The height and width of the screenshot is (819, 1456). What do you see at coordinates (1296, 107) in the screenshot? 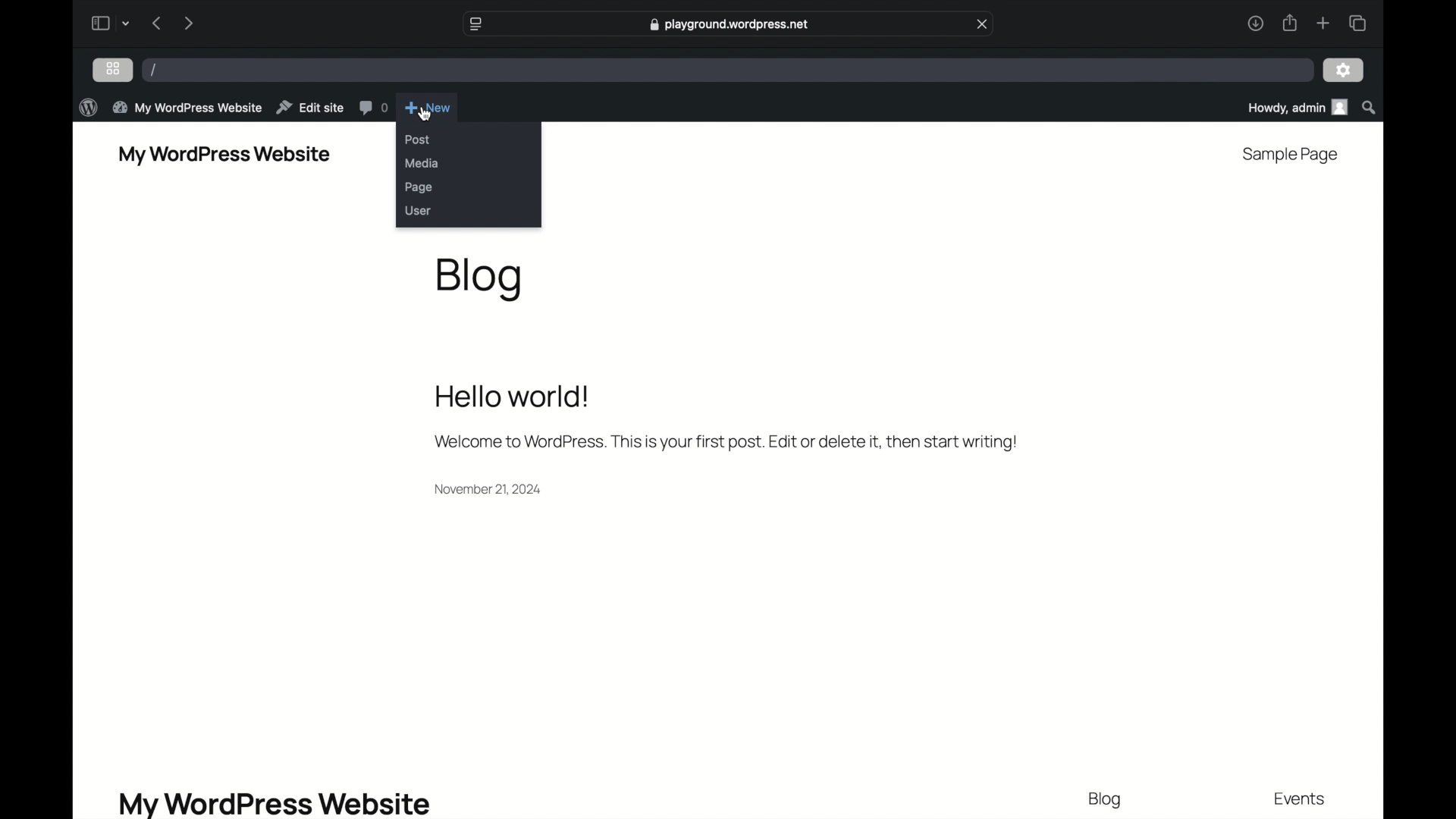
I see `howdy, admin` at bounding box center [1296, 107].